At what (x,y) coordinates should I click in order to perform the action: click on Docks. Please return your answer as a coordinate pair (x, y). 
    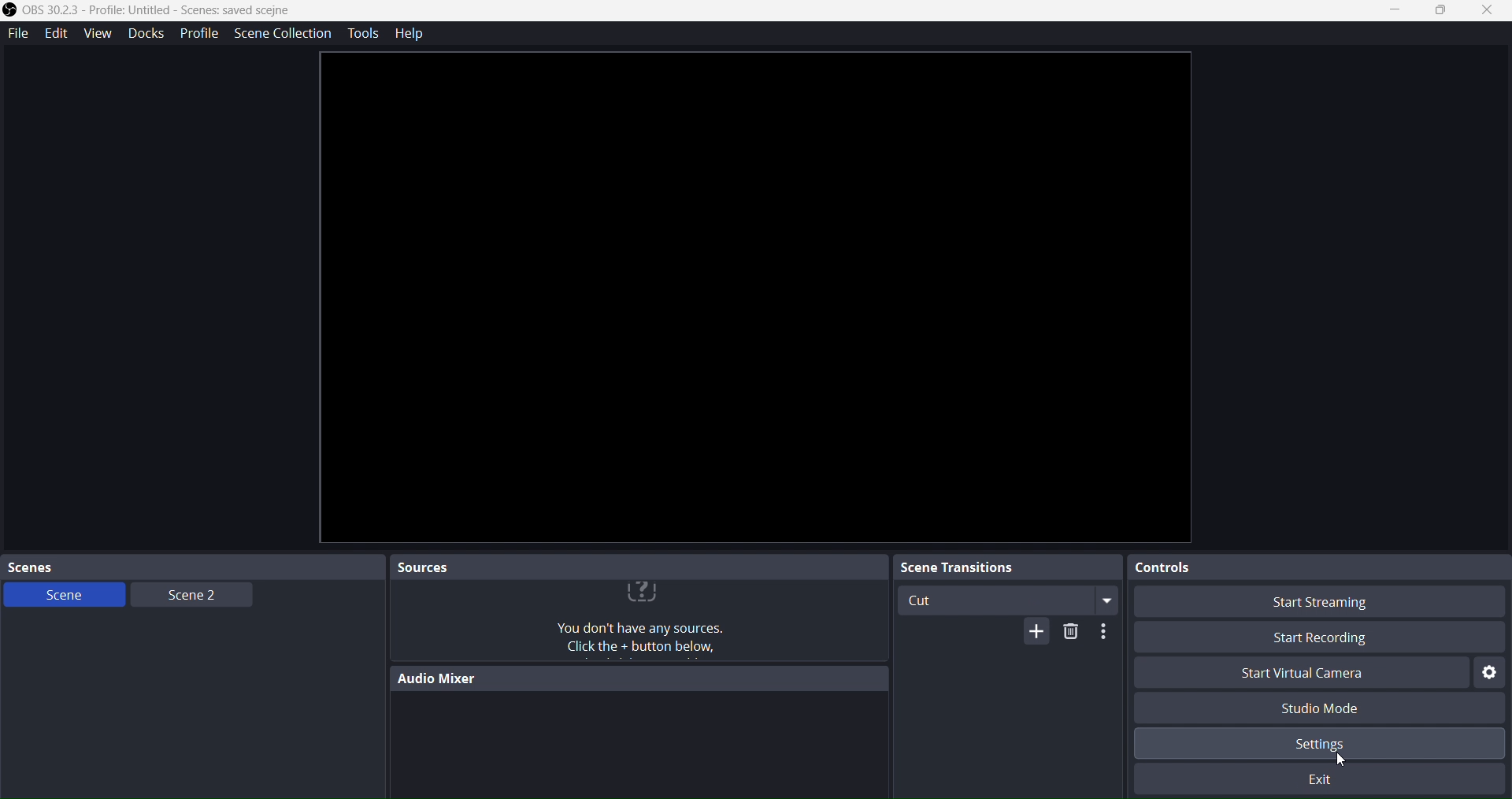
    Looking at the image, I should click on (144, 32).